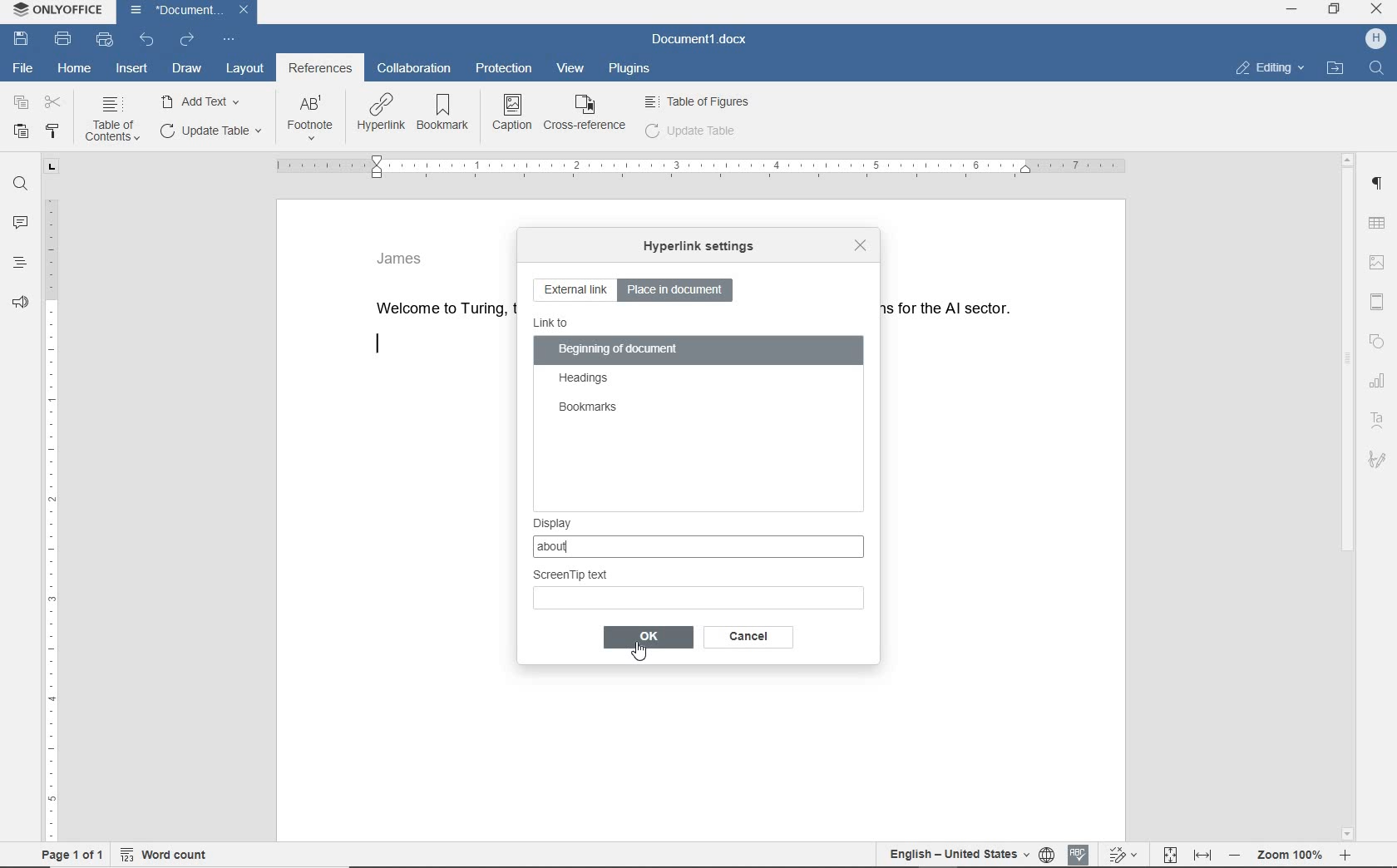 The height and width of the screenshot is (868, 1397). What do you see at coordinates (1238, 857) in the screenshot?
I see `zoom out` at bounding box center [1238, 857].